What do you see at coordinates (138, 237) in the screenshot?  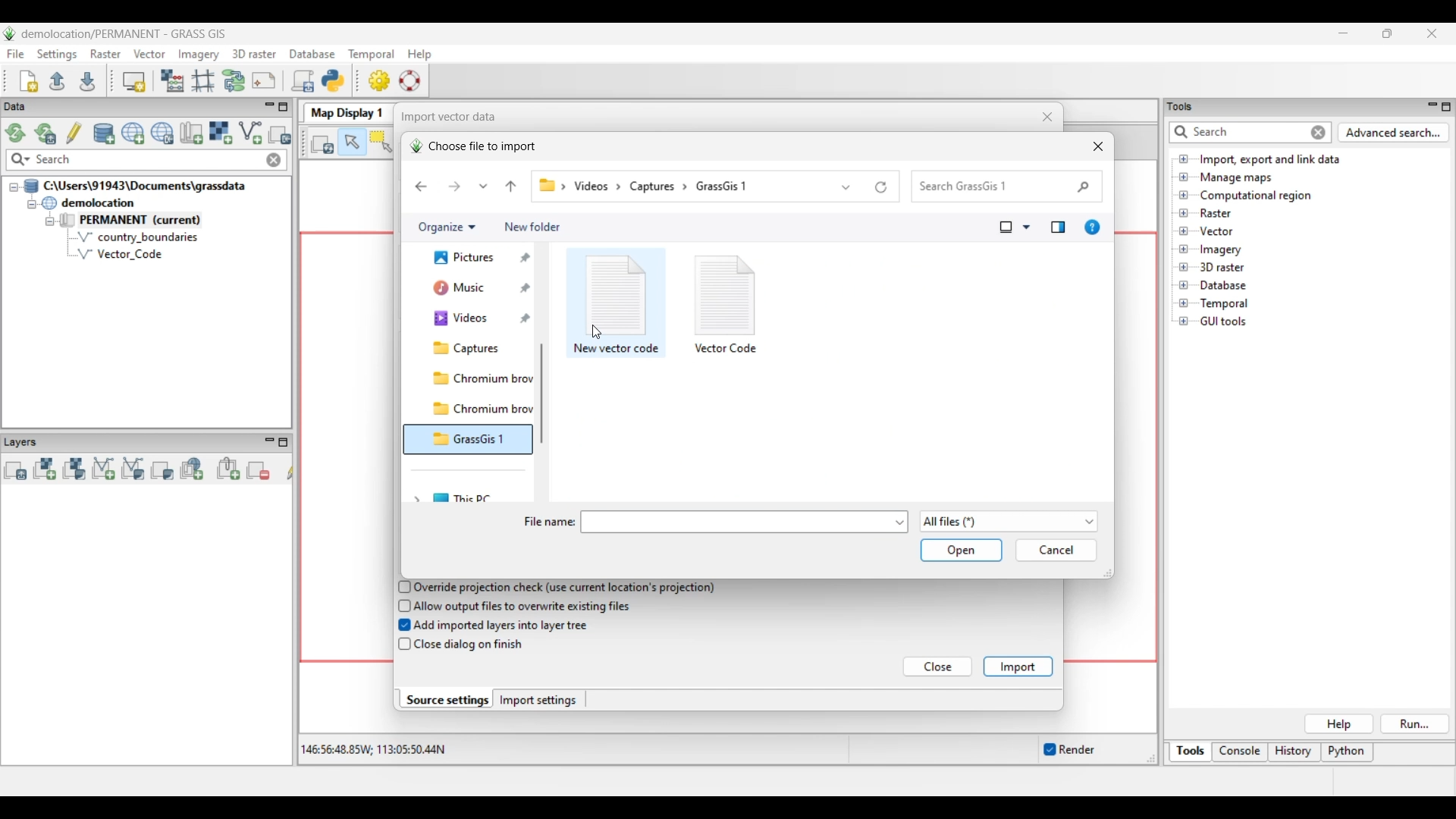 I see `country_boundaries` at bounding box center [138, 237].